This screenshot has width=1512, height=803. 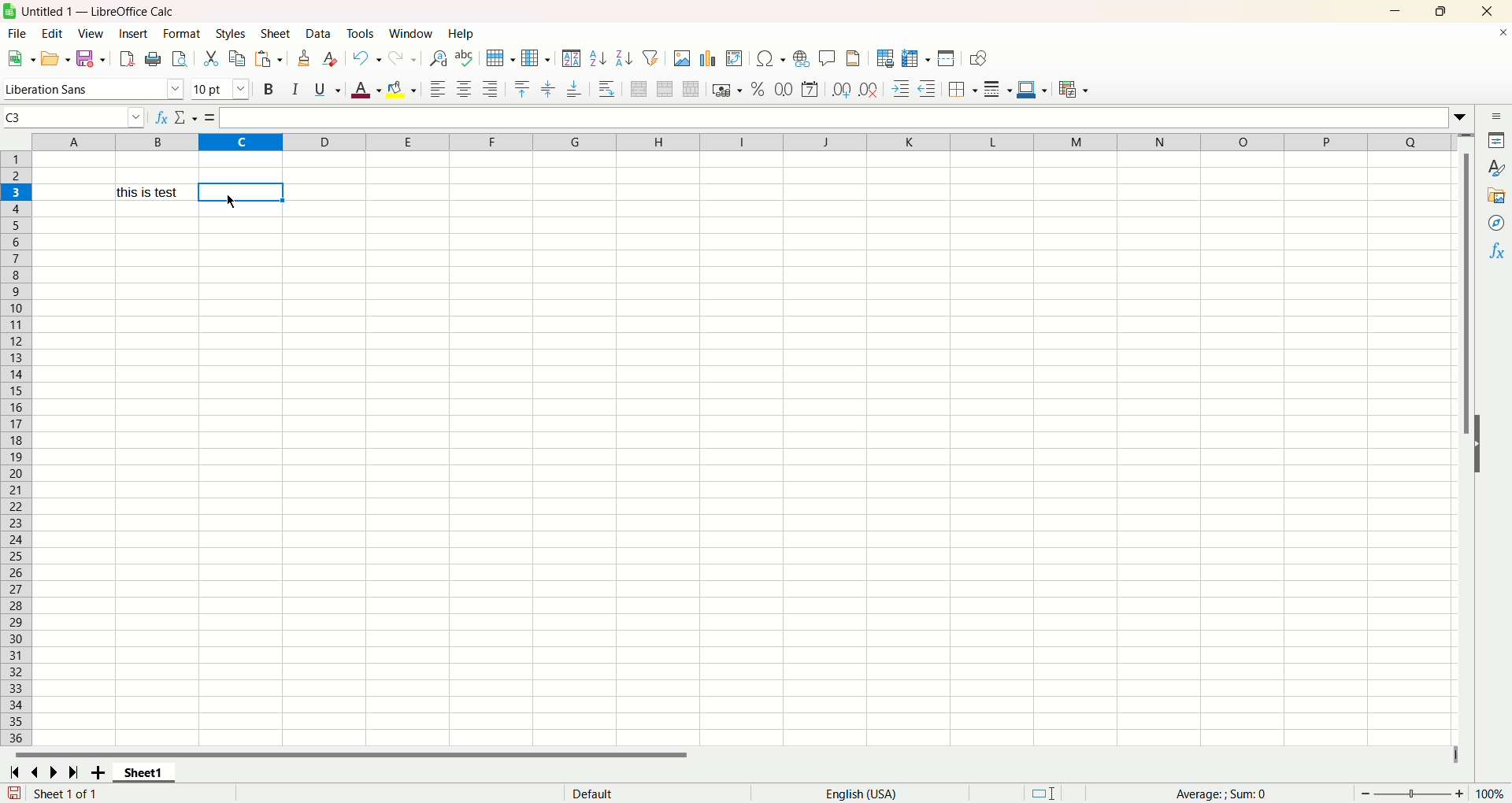 What do you see at coordinates (326, 88) in the screenshot?
I see `underline` at bounding box center [326, 88].